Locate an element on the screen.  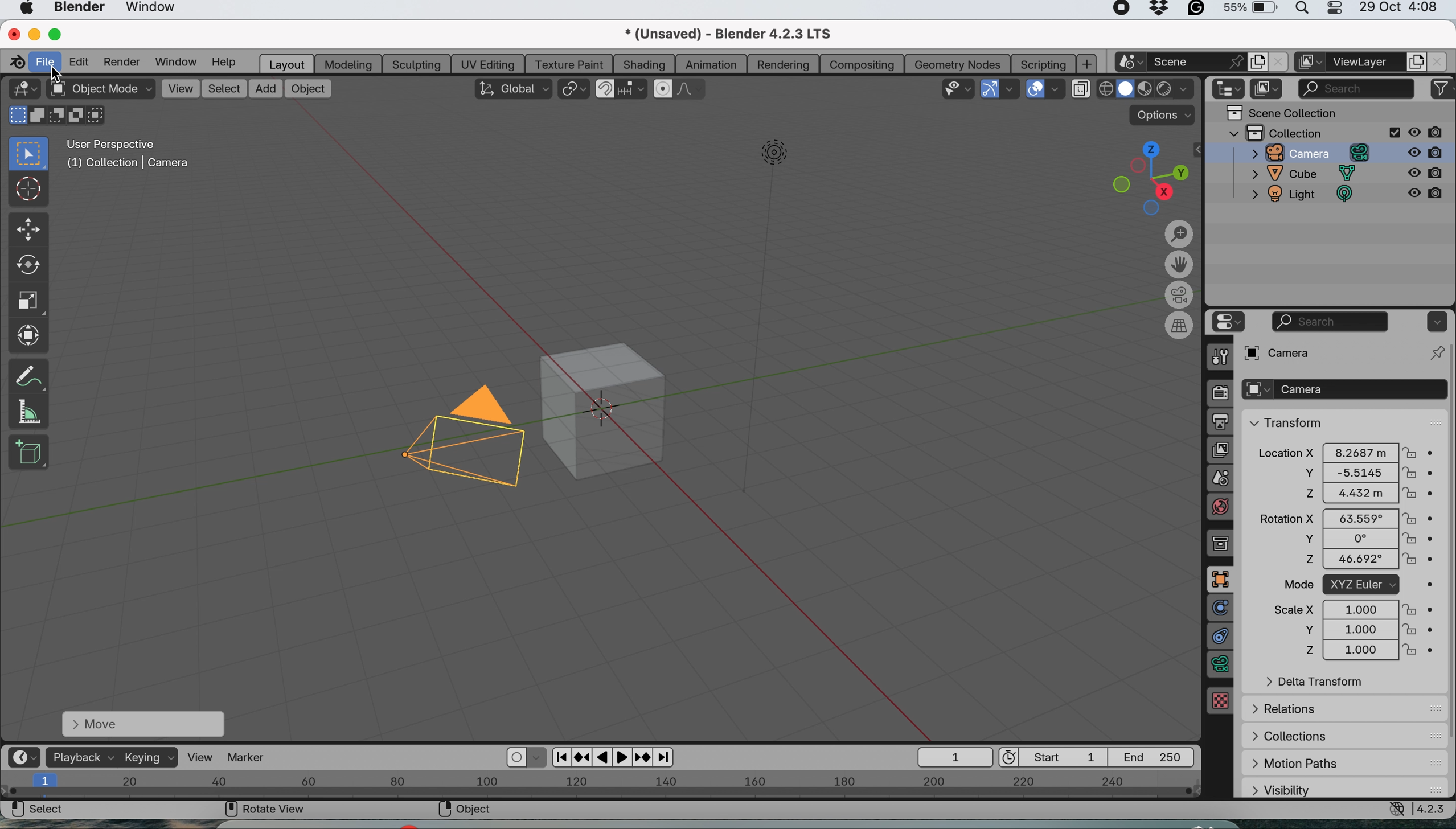
scene is located at coordinates (1222, 477).